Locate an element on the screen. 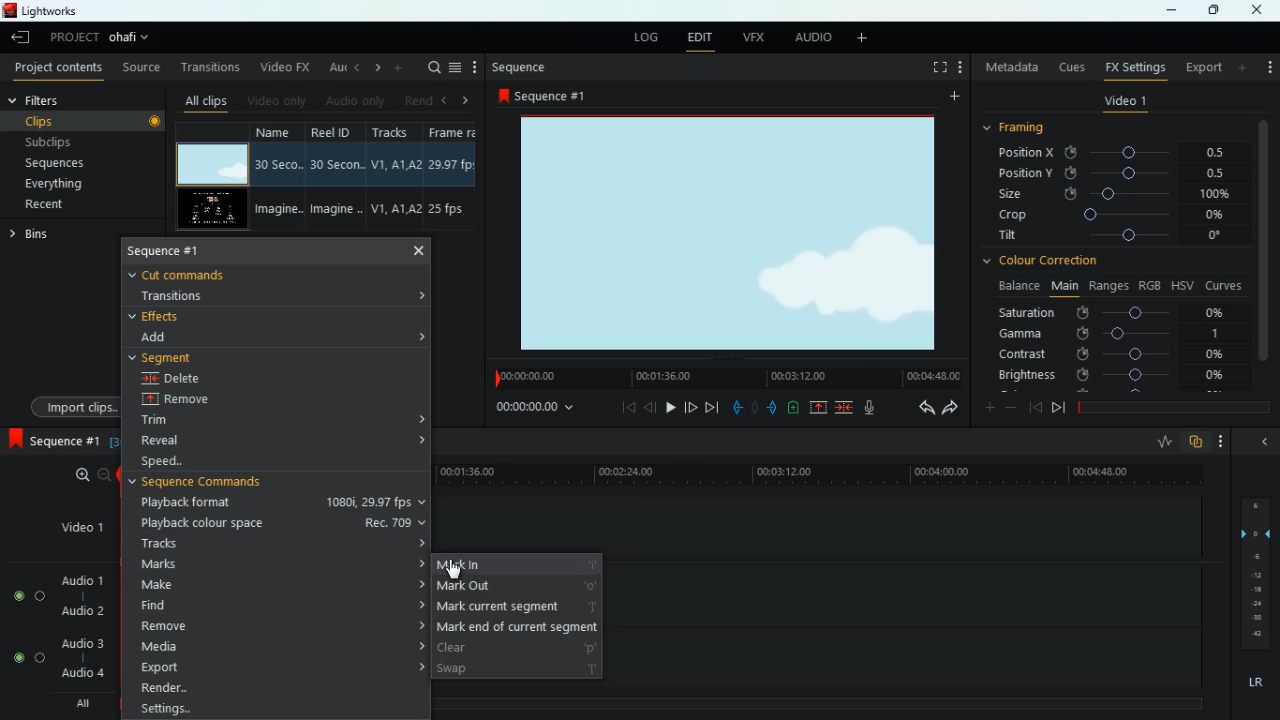 This screenshot has width=1280, height=720. tracks is located at coordinates (392, 131).